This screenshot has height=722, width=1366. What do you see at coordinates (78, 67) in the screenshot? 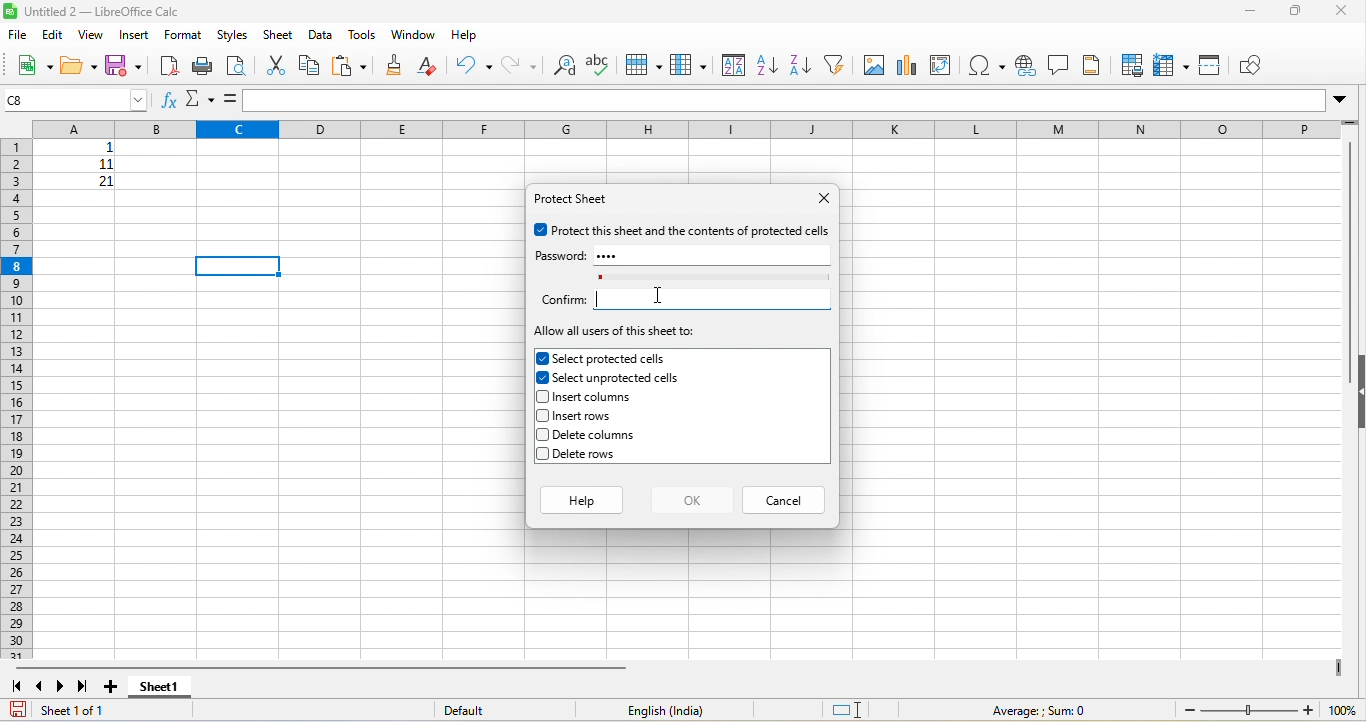
I see `open` at bounding box center [78, 67].